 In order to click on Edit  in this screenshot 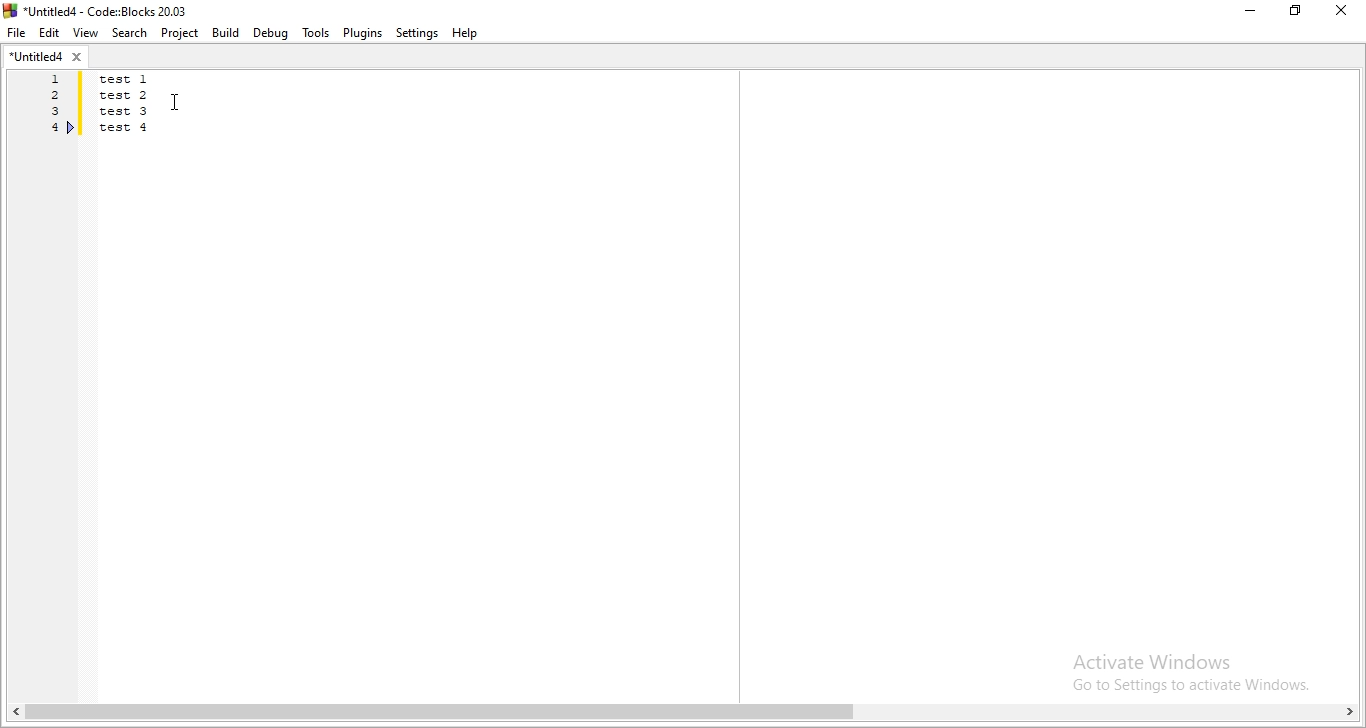, I will do `click(50, 33)`.